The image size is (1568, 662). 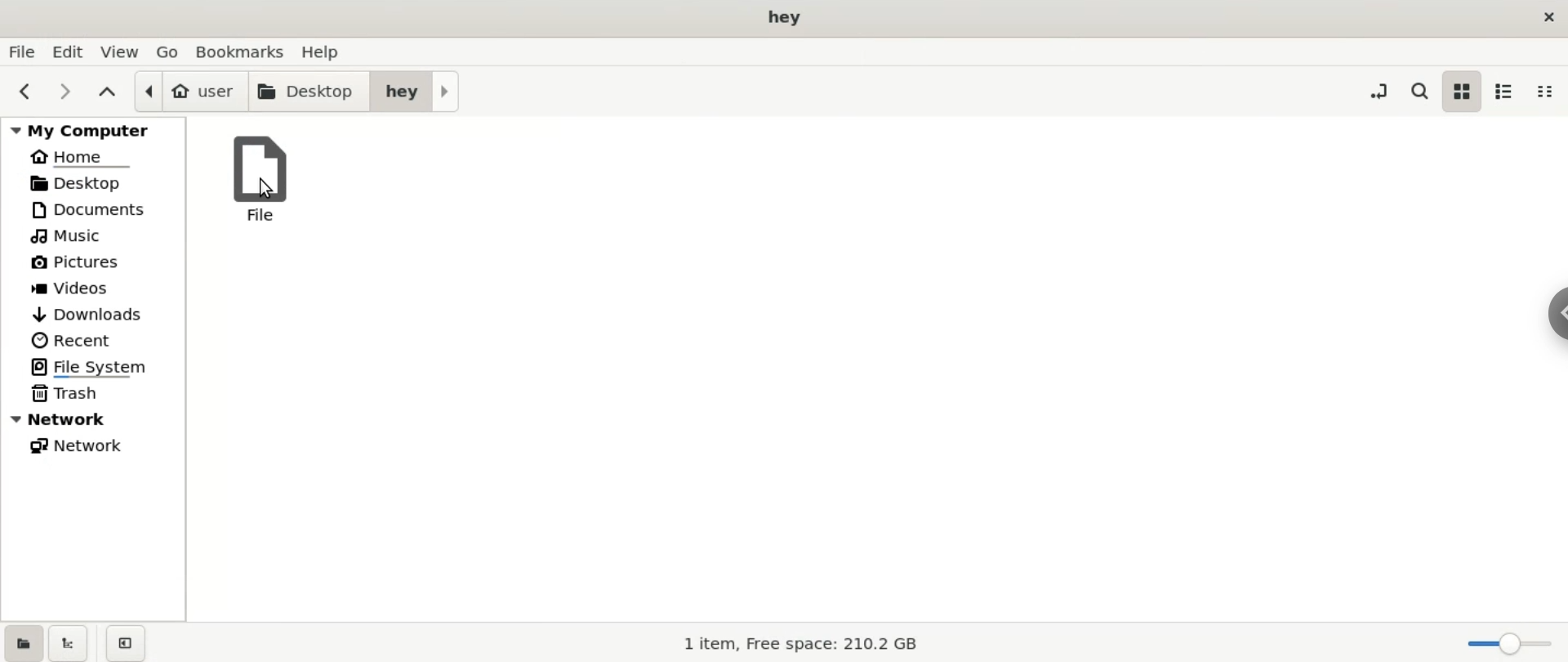 I want to click on videos, so click(x=93, y=288).